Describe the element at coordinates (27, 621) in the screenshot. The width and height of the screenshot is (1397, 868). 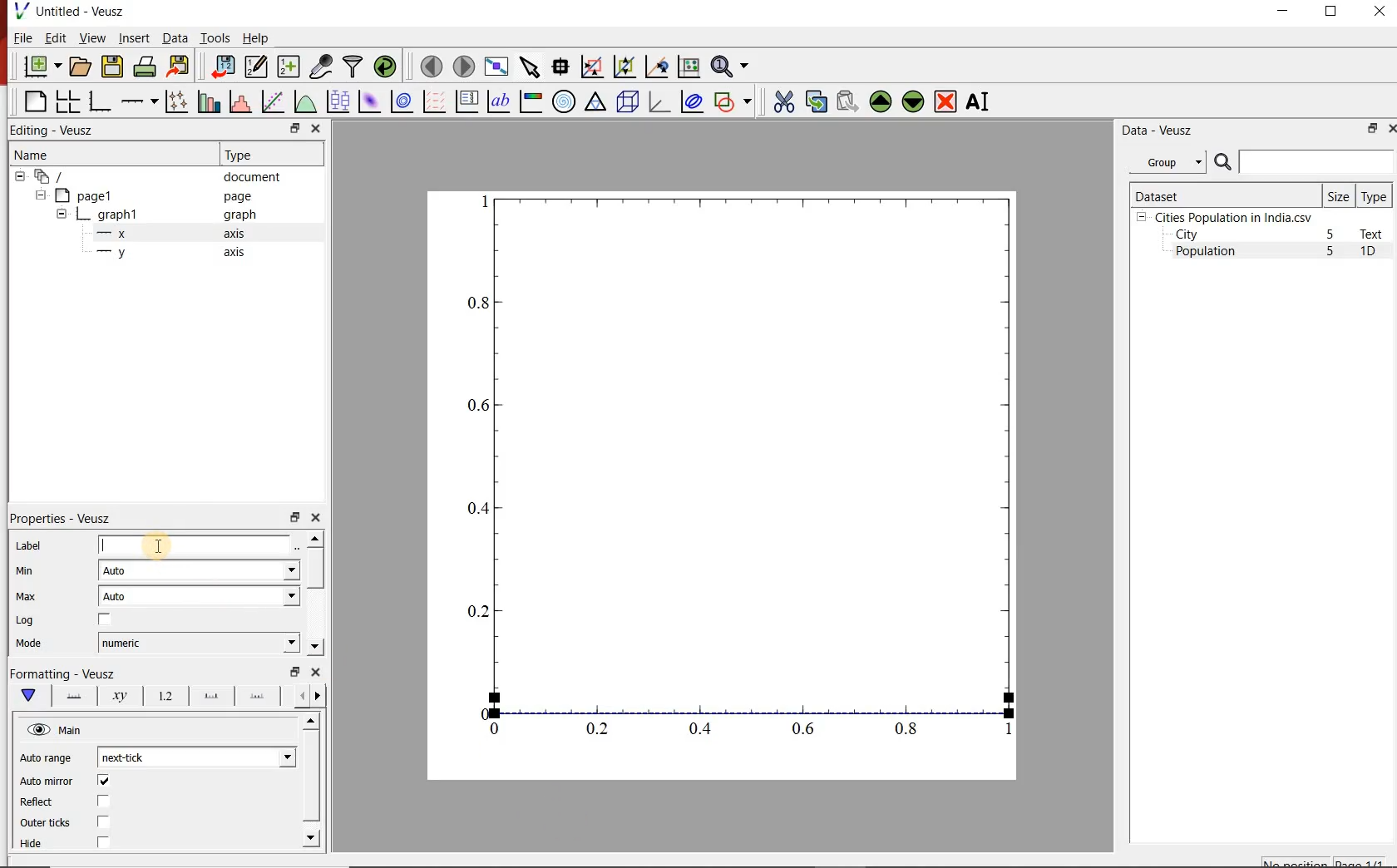
I see `Log` at that location.